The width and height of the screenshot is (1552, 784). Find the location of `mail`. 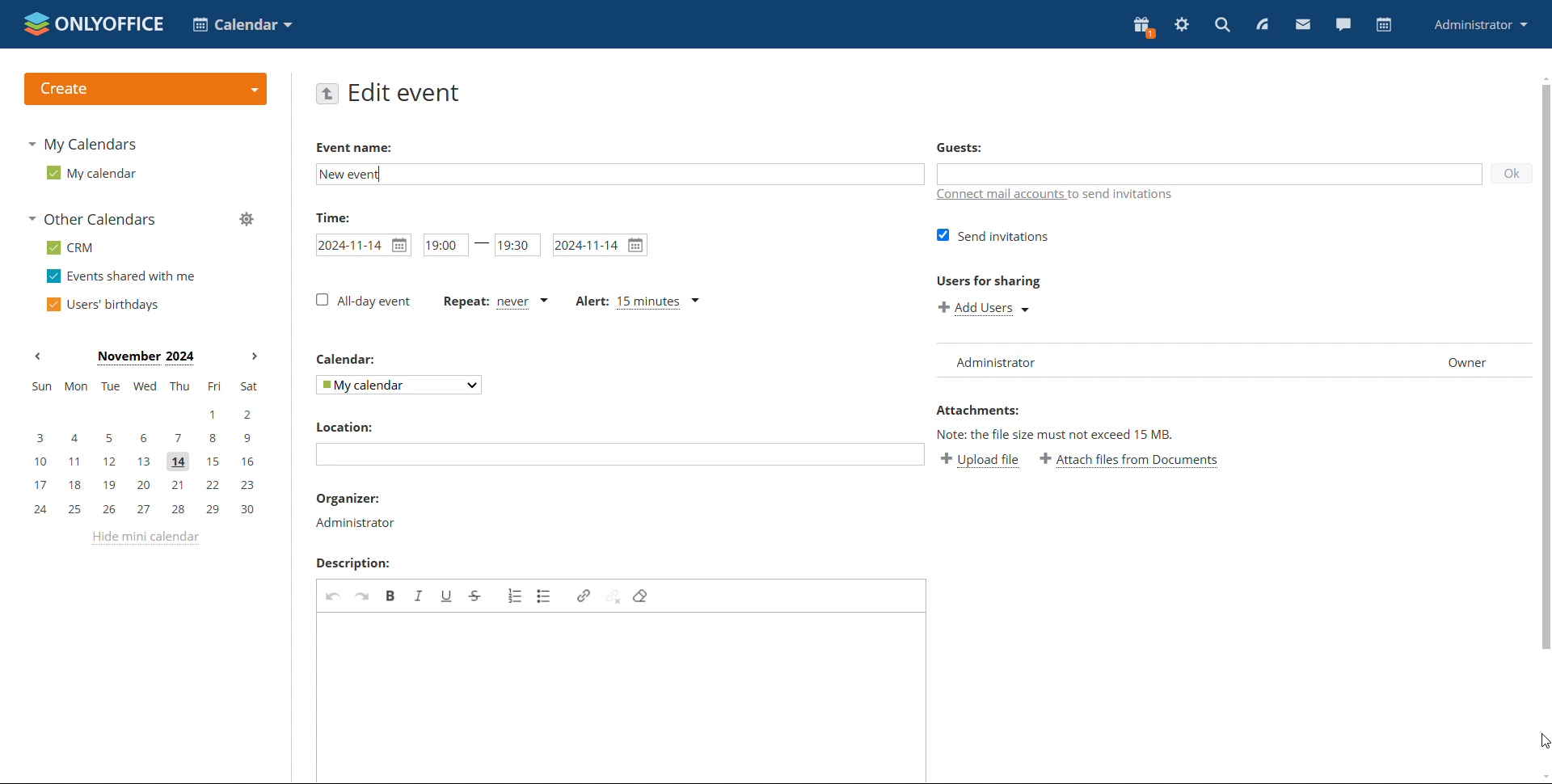

mail is located at coordinates (1303, 25).